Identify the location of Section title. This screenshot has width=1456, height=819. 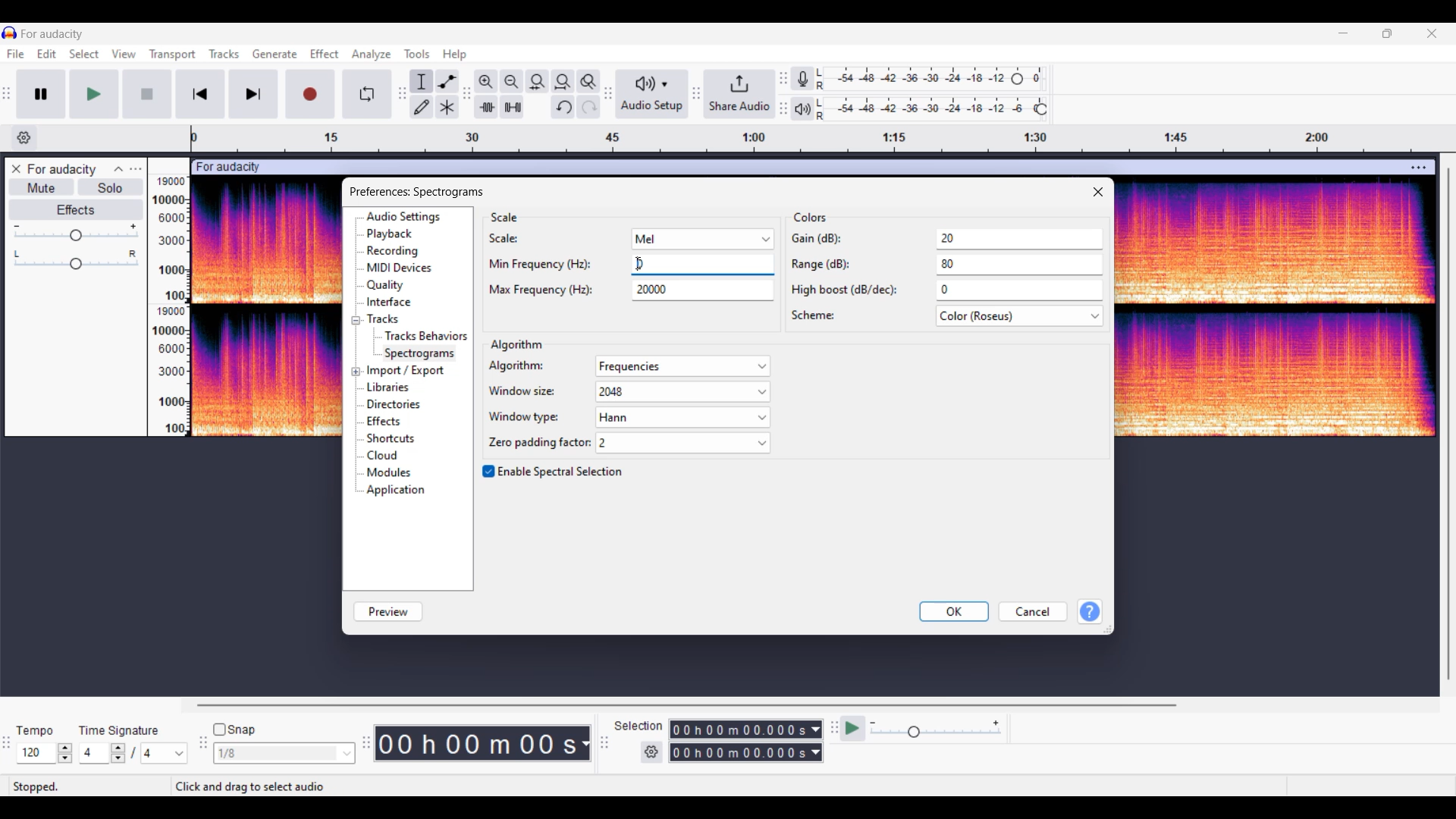
(505, 217).